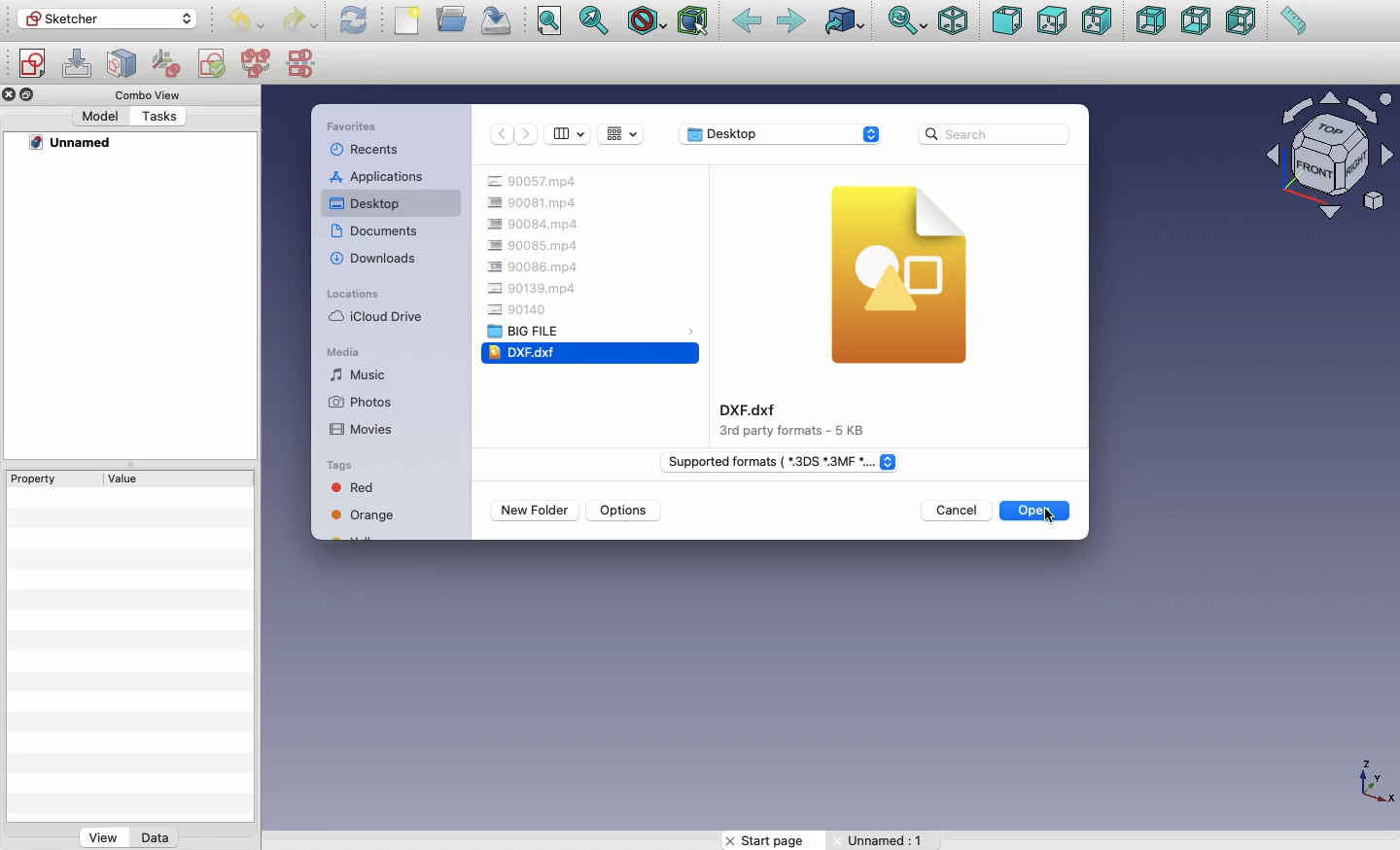  What do you see at coordinates (529, 331) in the screenshot?
I see `Big file` at bounding box center [529, 331].